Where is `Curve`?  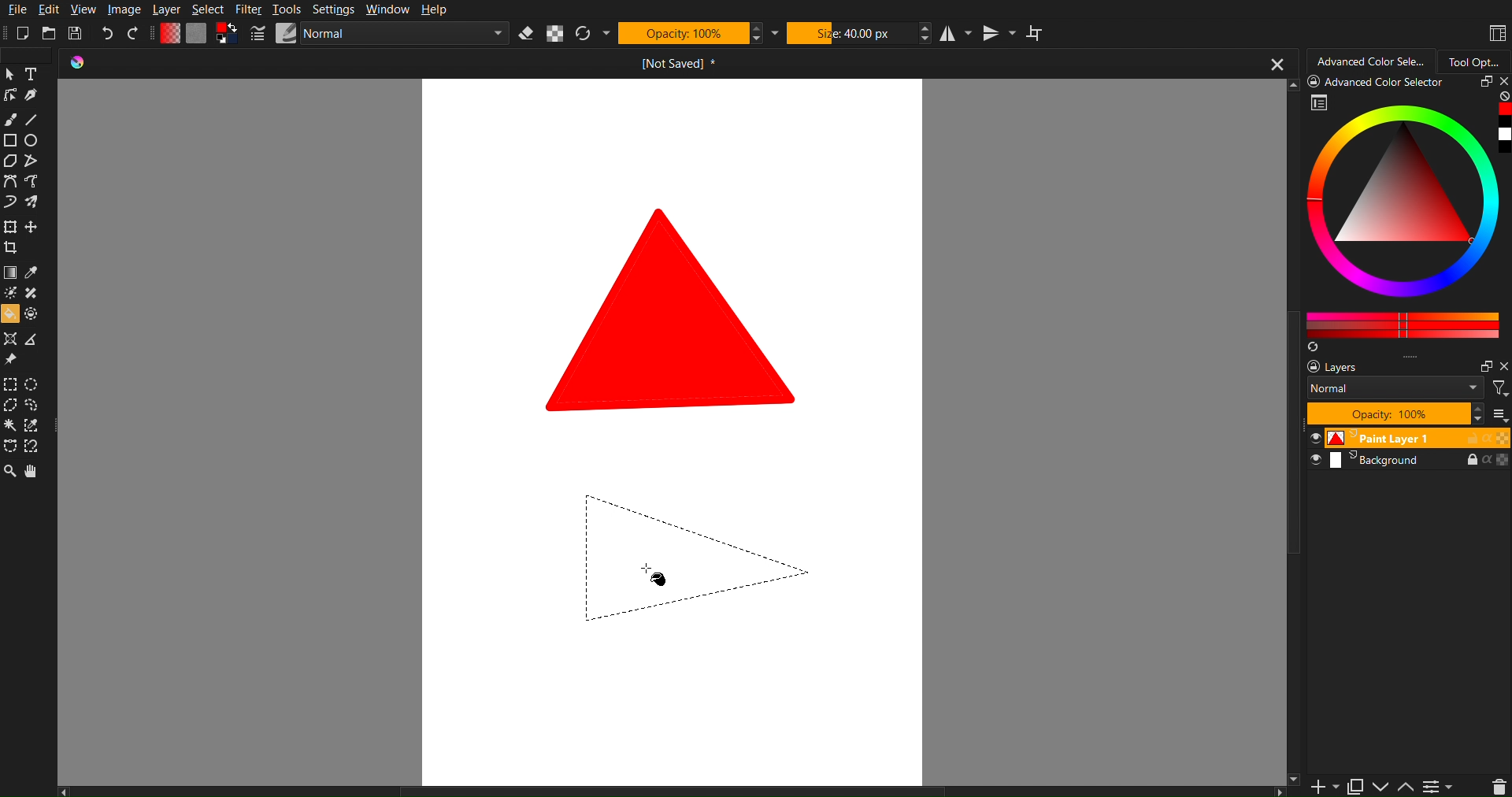 Curve is located at coordinates (9, 204).